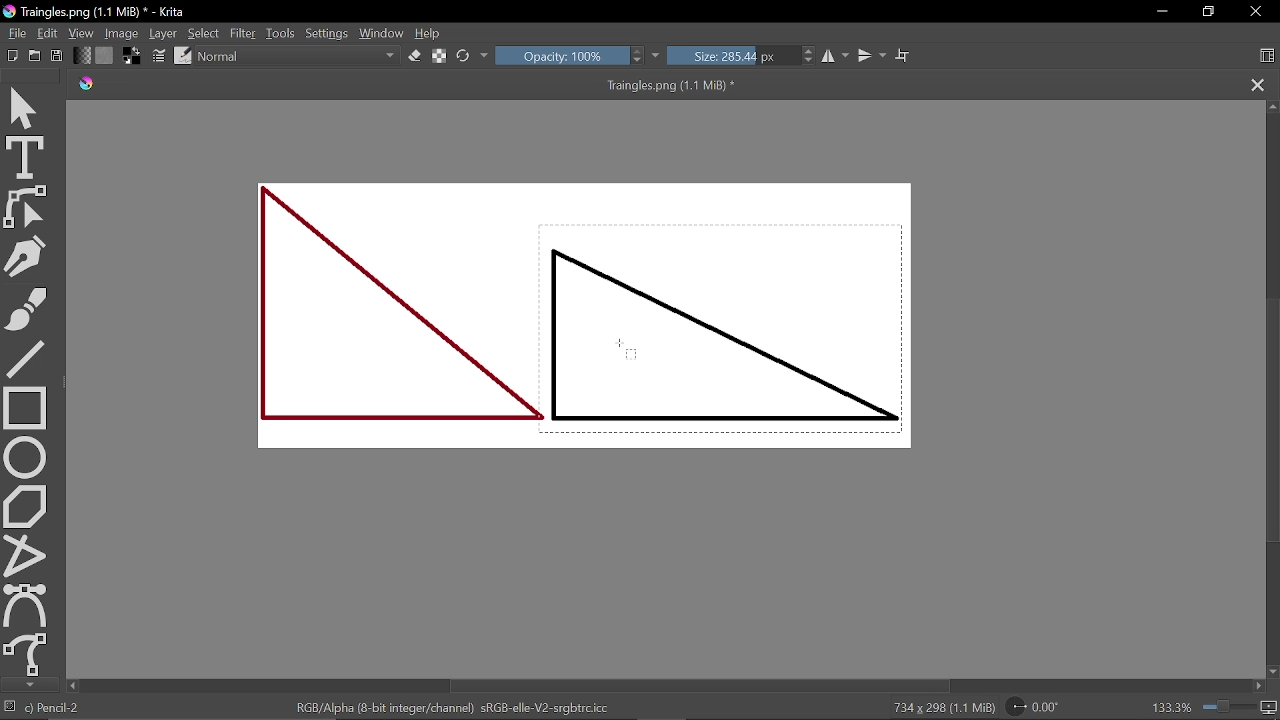 The width and height of the screenshot is (1280, 720). I want to click on Window, so click(383, 33).